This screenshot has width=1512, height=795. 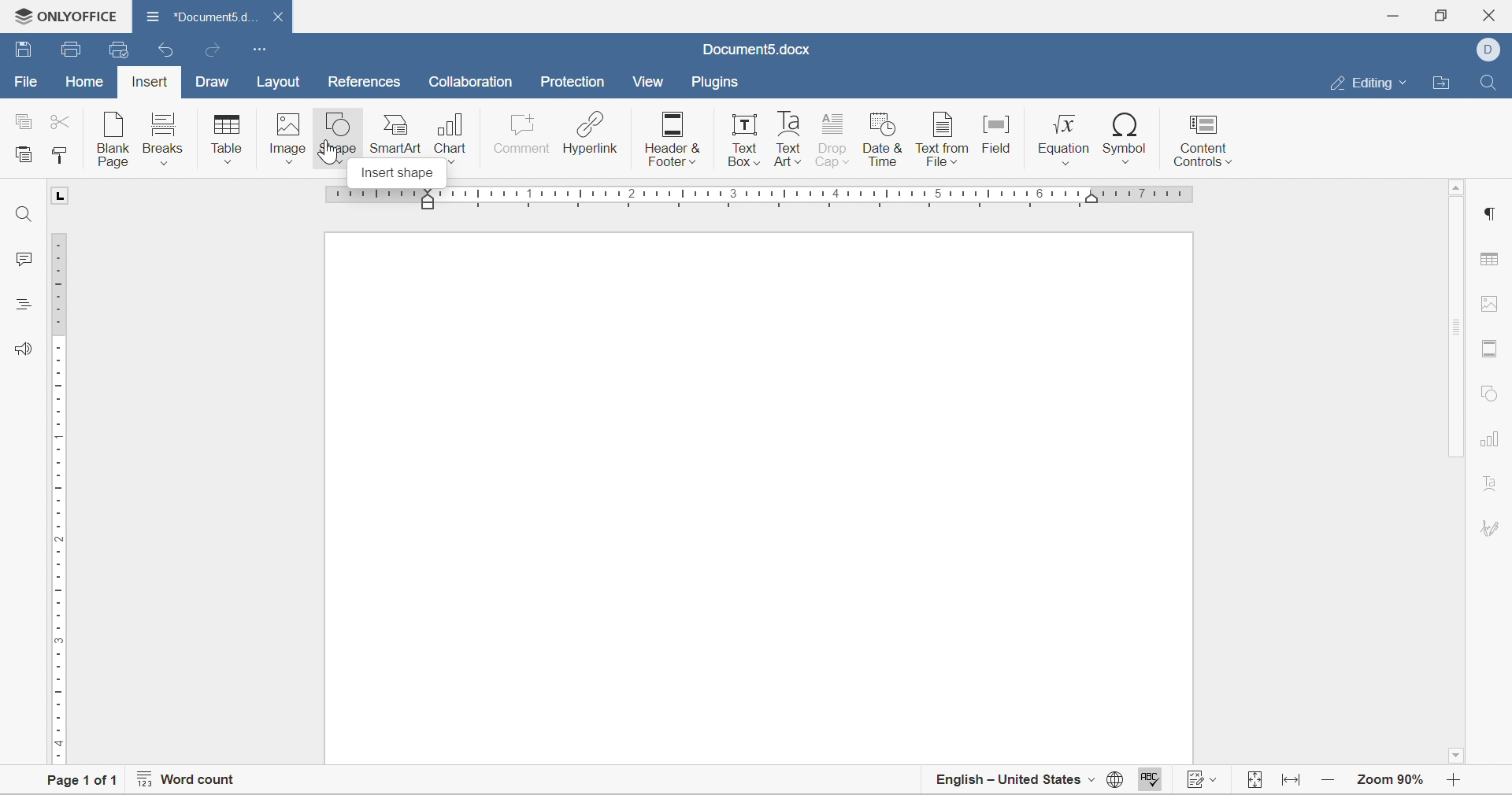 What do you see at coordinates (1333, 783) in the screenshot?
I see `zoom in` at bounding box center [1333, 783].